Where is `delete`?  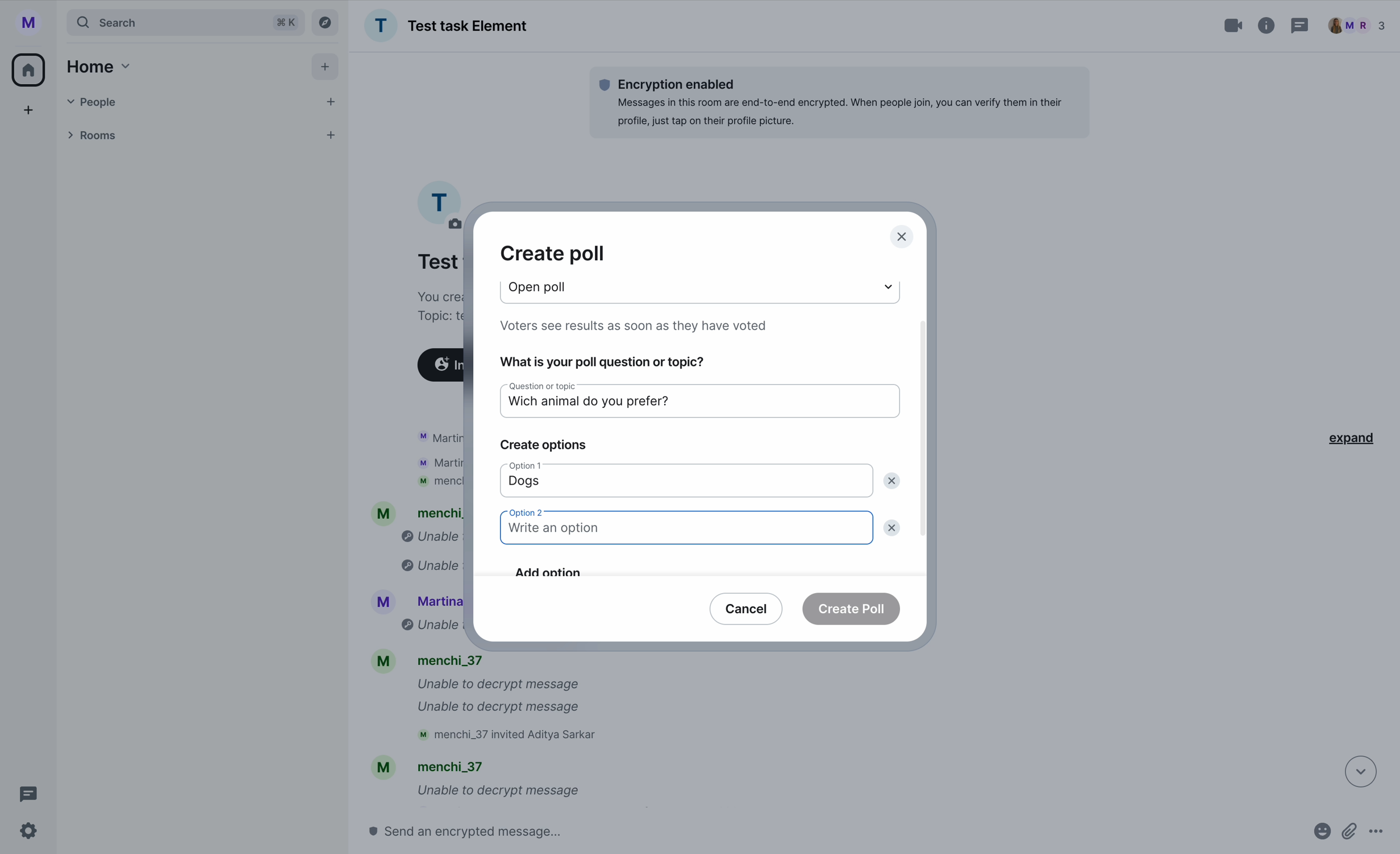
delete is located at coordinates (894, 531).